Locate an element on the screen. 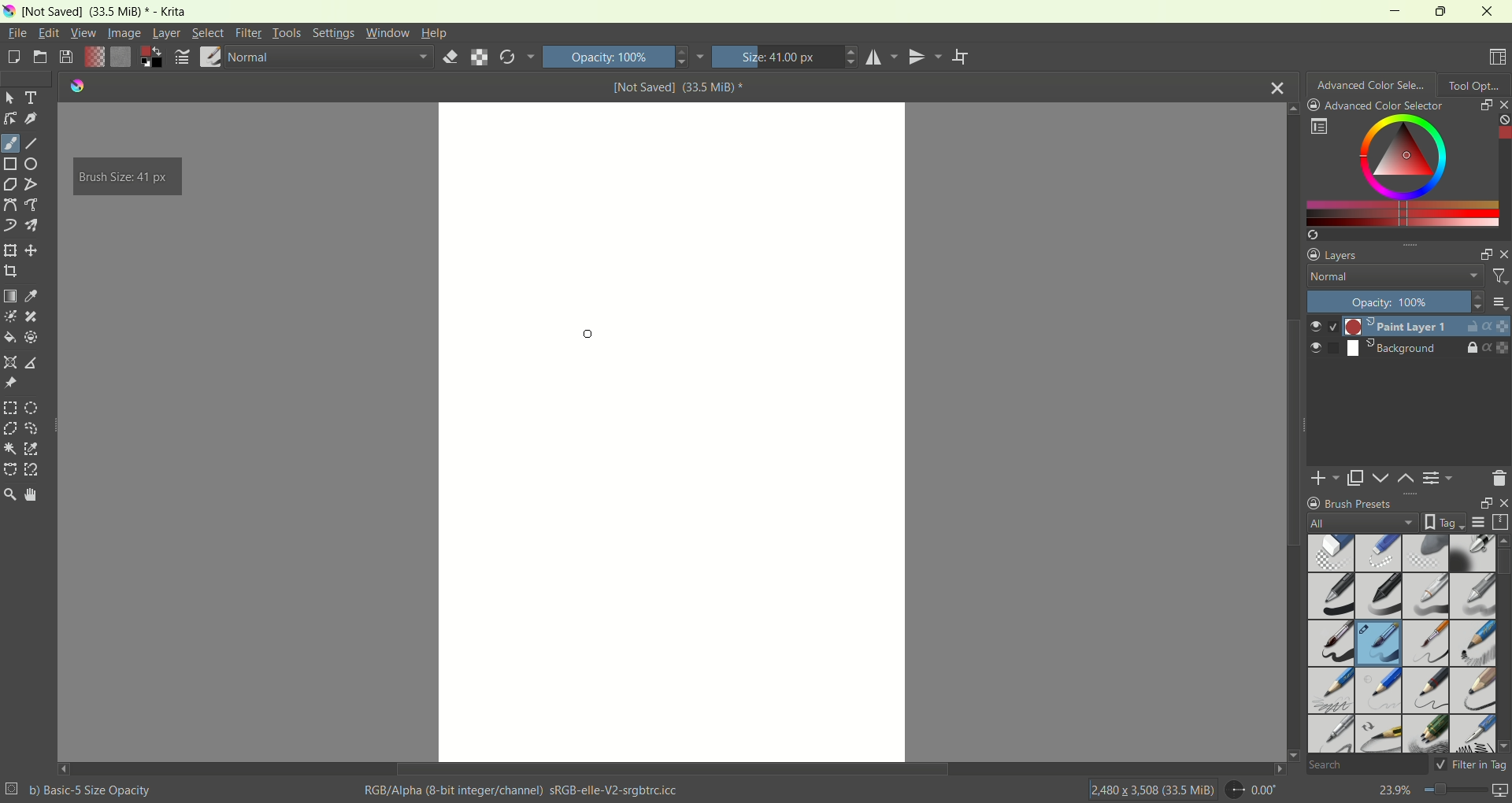 This screenshot has height=803, width=1512. preserve alpha is located at coordinates (480, 58).